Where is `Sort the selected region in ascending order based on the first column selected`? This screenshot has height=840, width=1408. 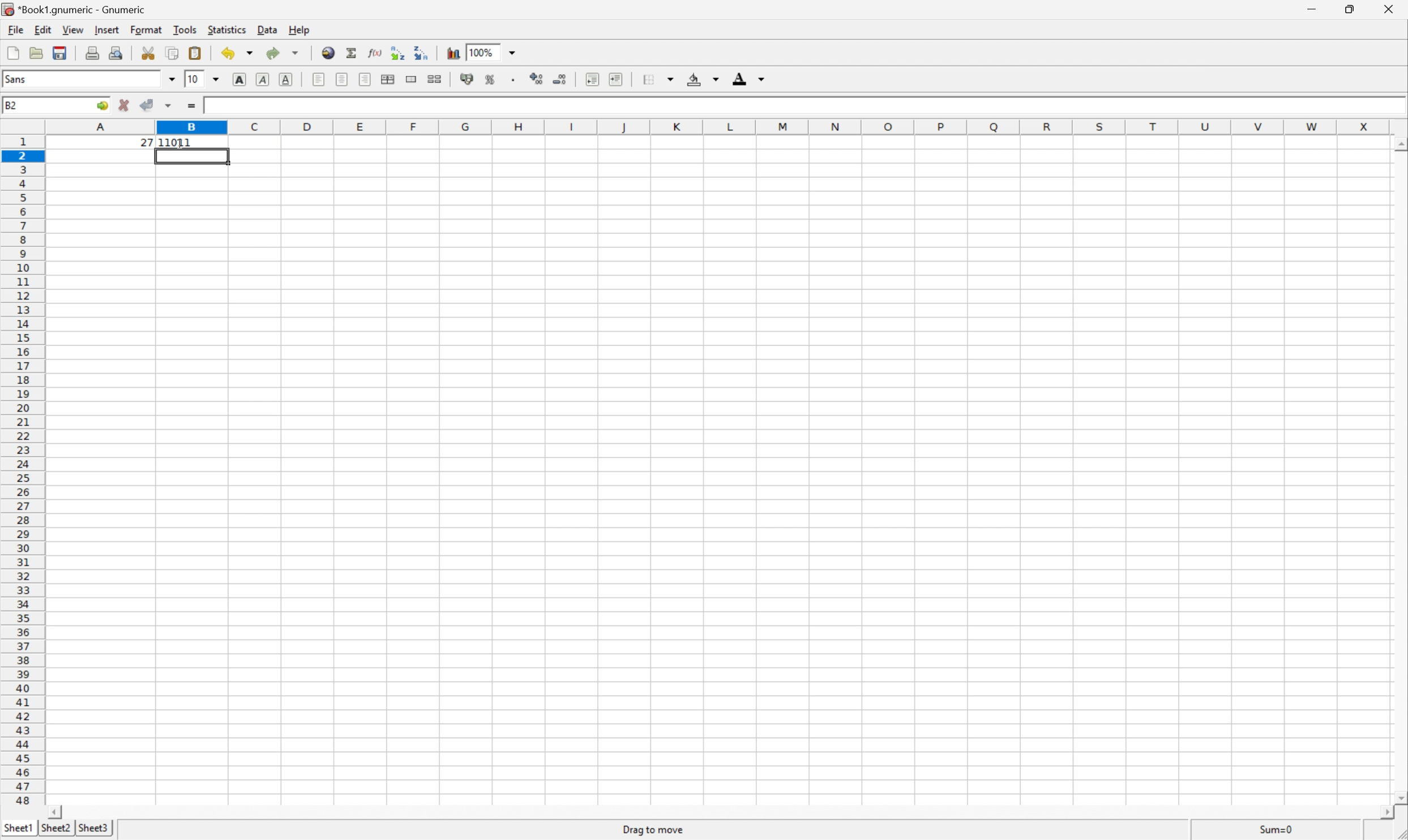 Sort the selected region in ascending order based on the first column selected is located at coordinates (398, 52).